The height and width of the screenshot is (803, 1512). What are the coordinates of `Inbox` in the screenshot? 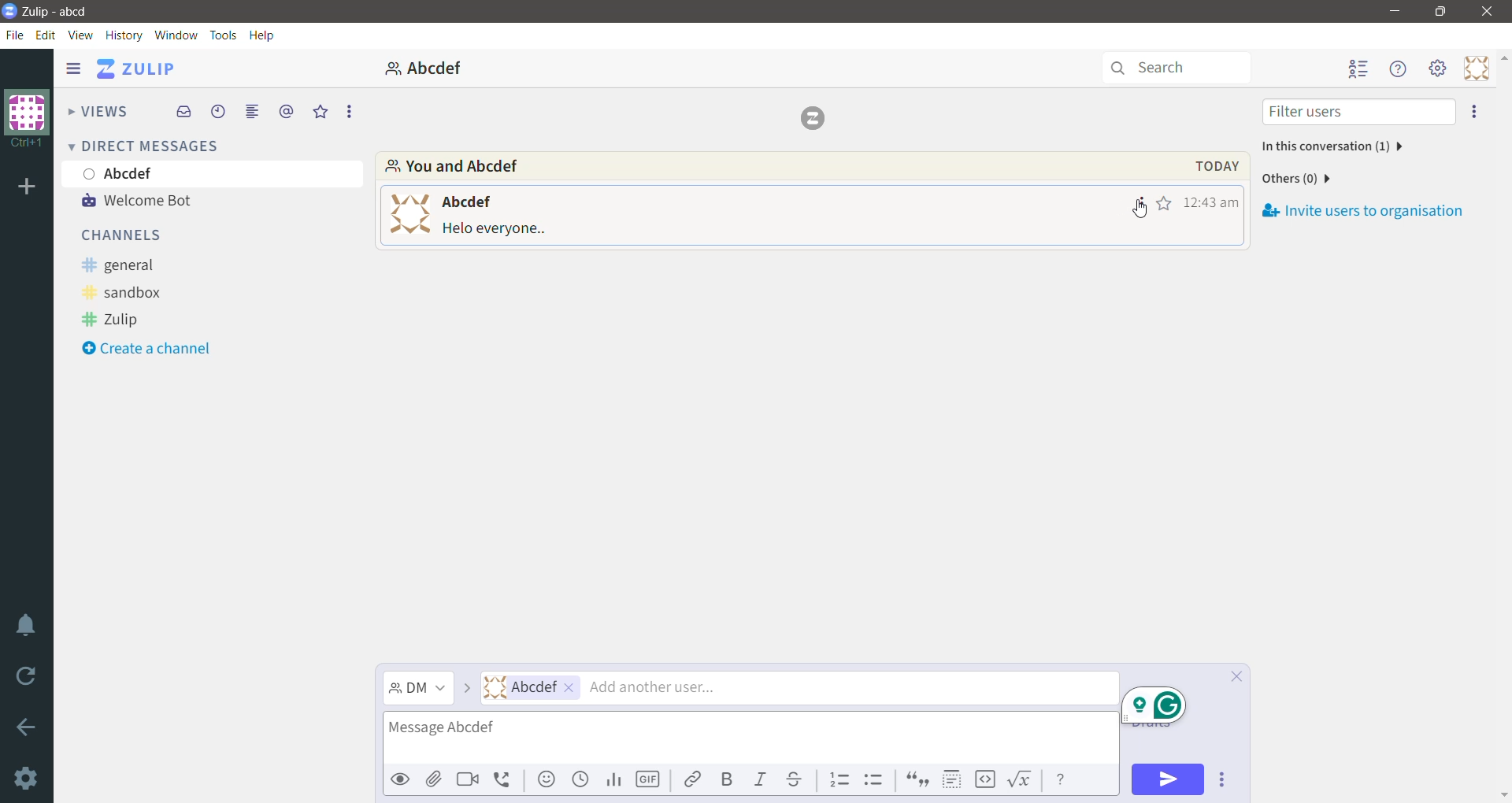 It's located at (183, 113).